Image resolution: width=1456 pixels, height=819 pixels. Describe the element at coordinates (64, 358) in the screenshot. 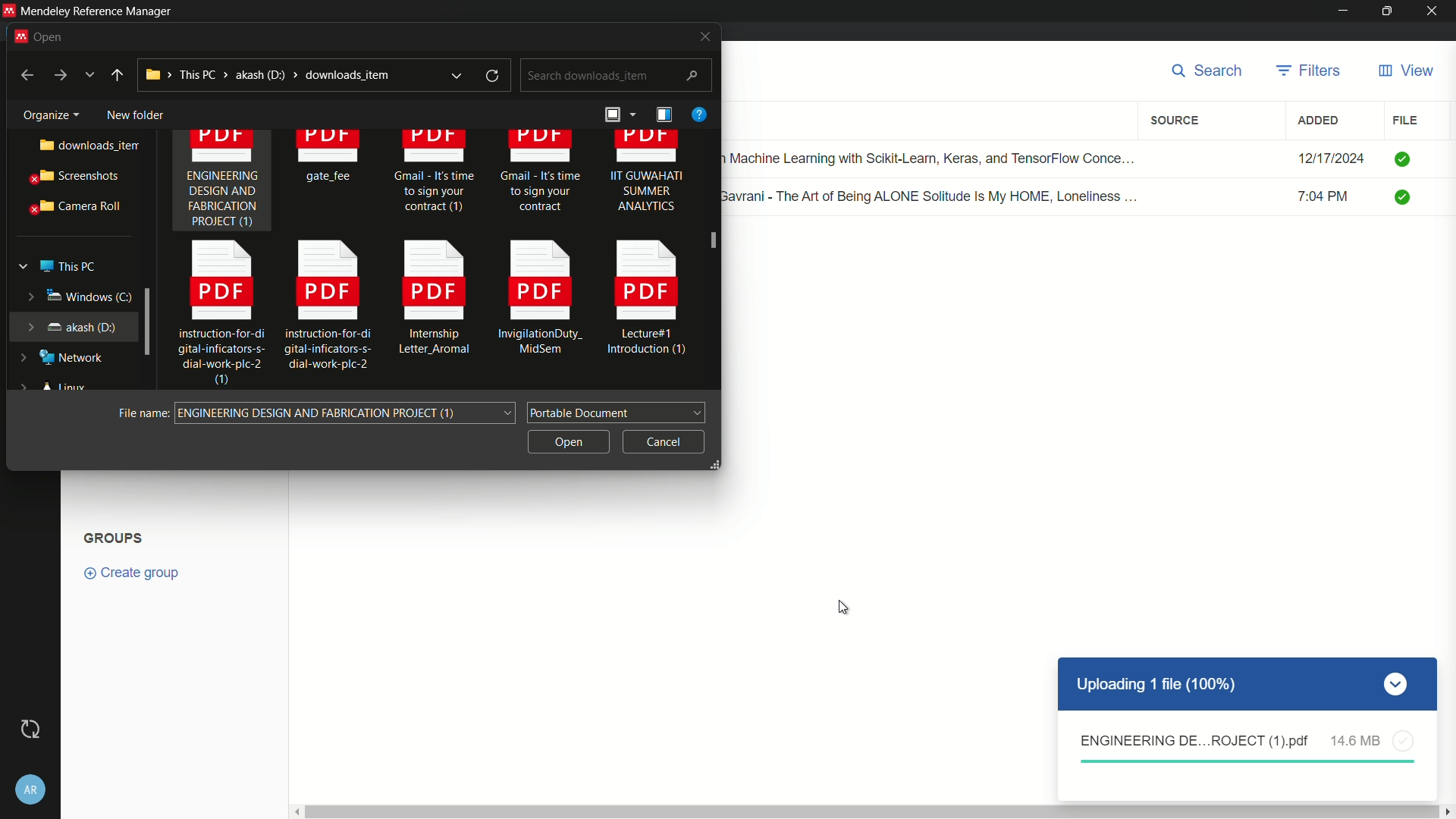

I see `network` at that location.